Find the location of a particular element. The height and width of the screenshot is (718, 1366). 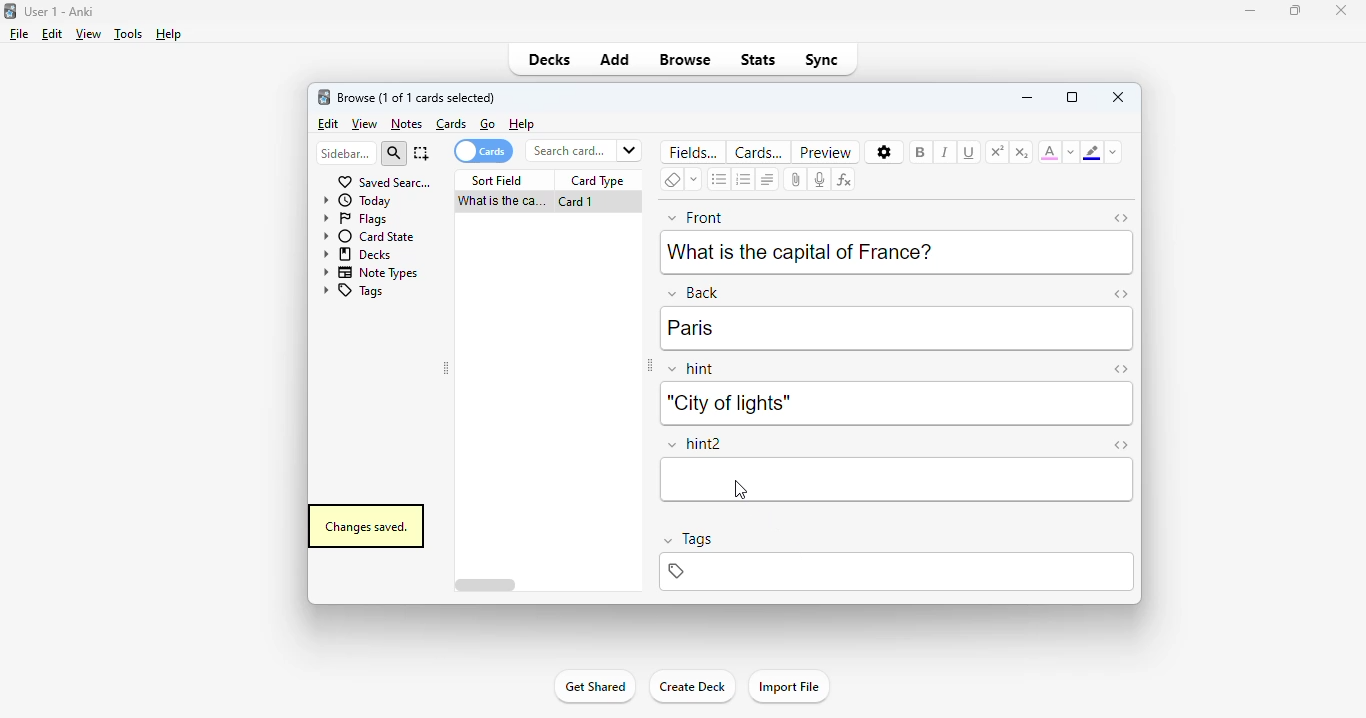

superscript is located at coordinates (997, 152).